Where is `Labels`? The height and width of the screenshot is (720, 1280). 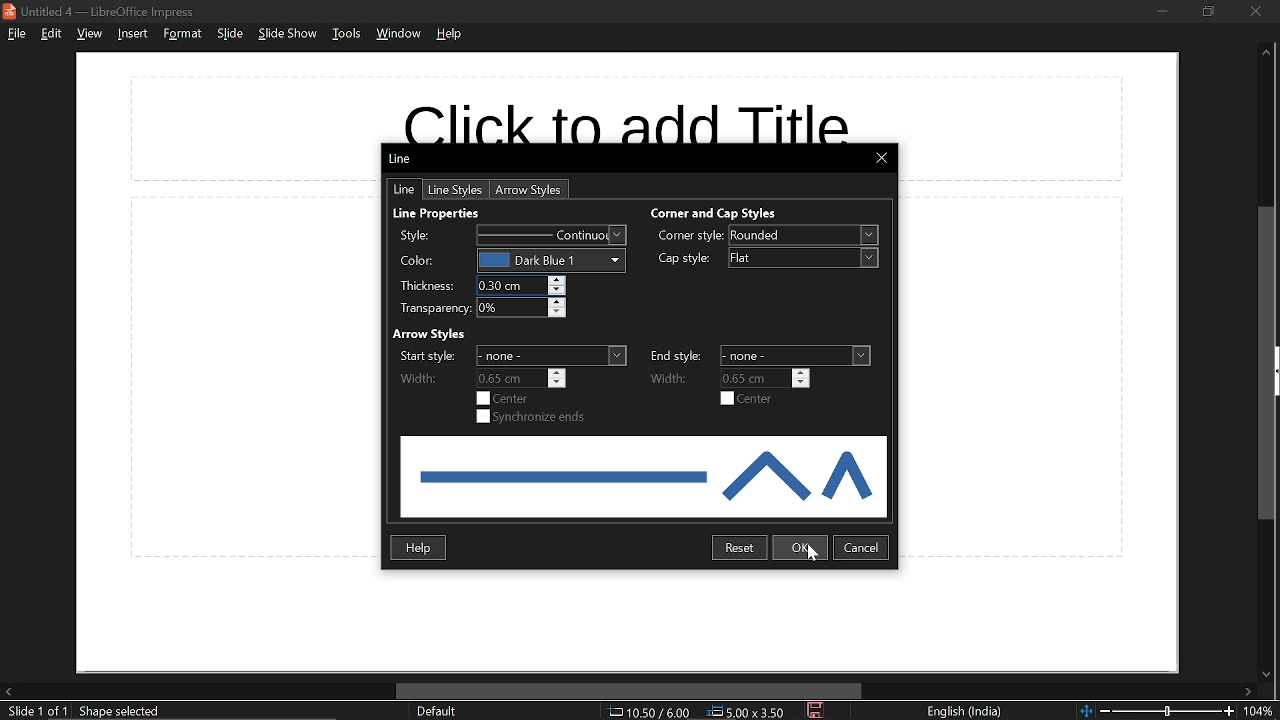 Labels is located at coordinates (690, 248).